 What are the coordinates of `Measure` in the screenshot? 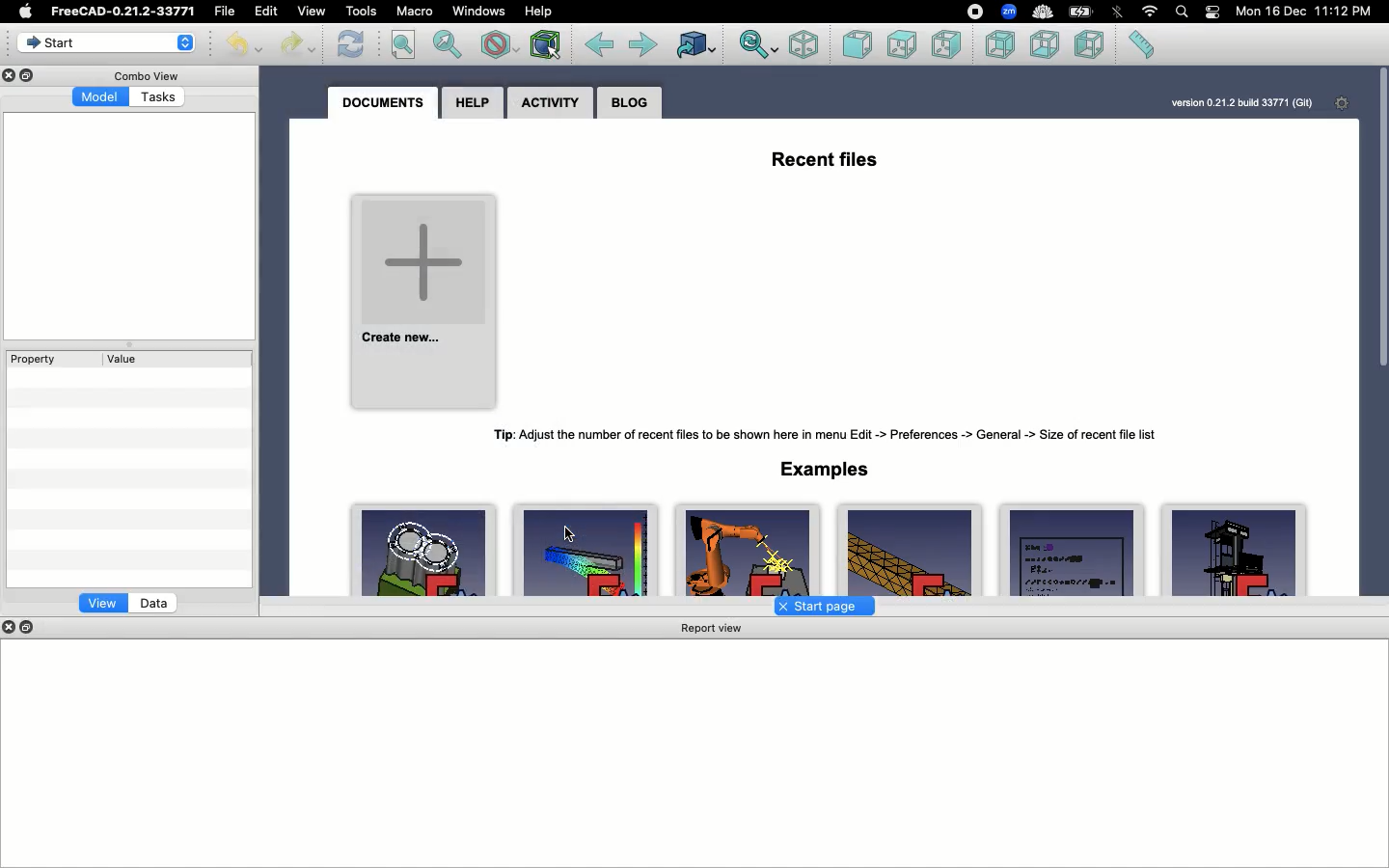 It's located at (1146, 46).